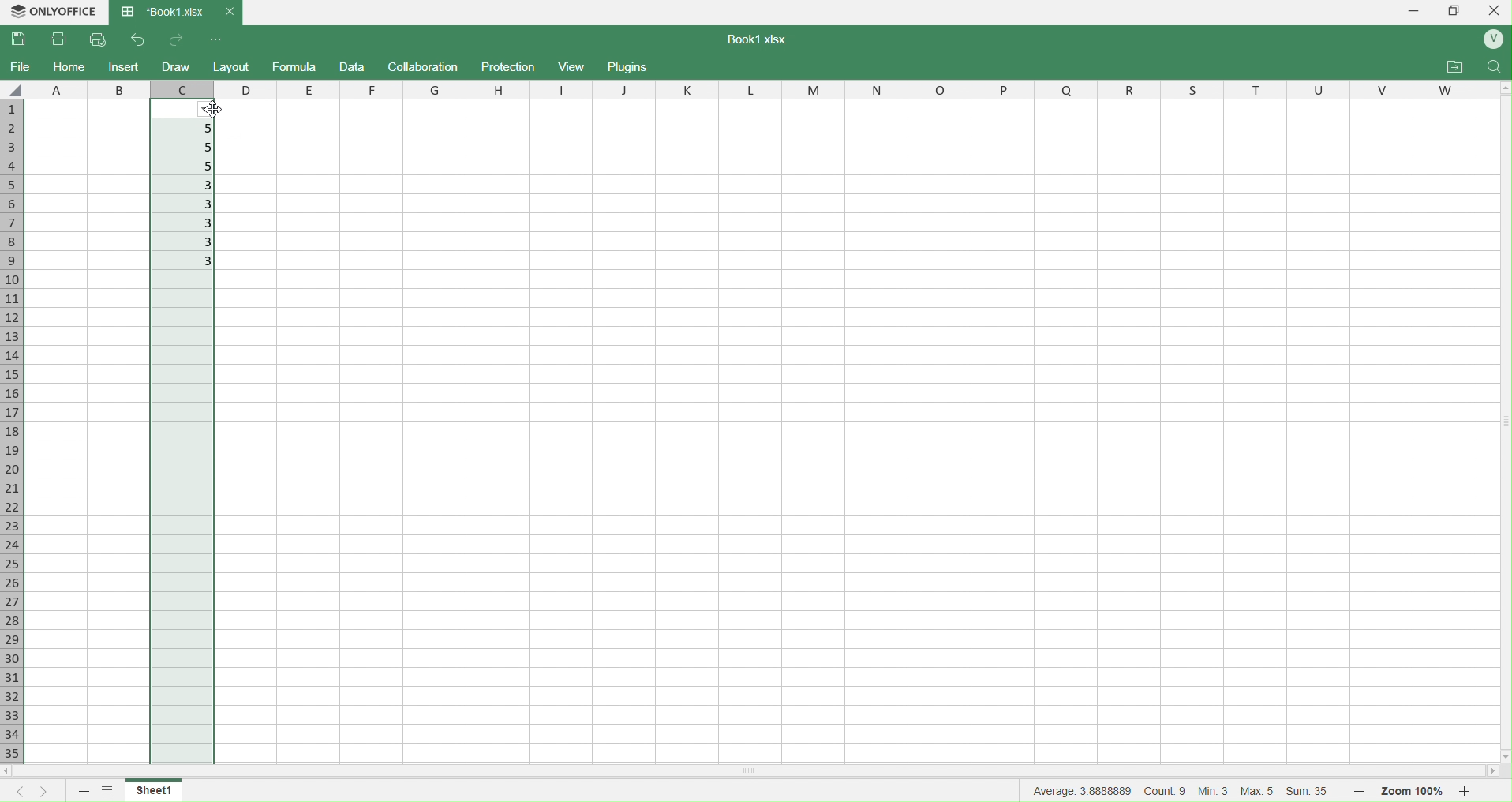  Describe the element at coordinates (15, 89) in the screenshot. I see `select all` at that location.